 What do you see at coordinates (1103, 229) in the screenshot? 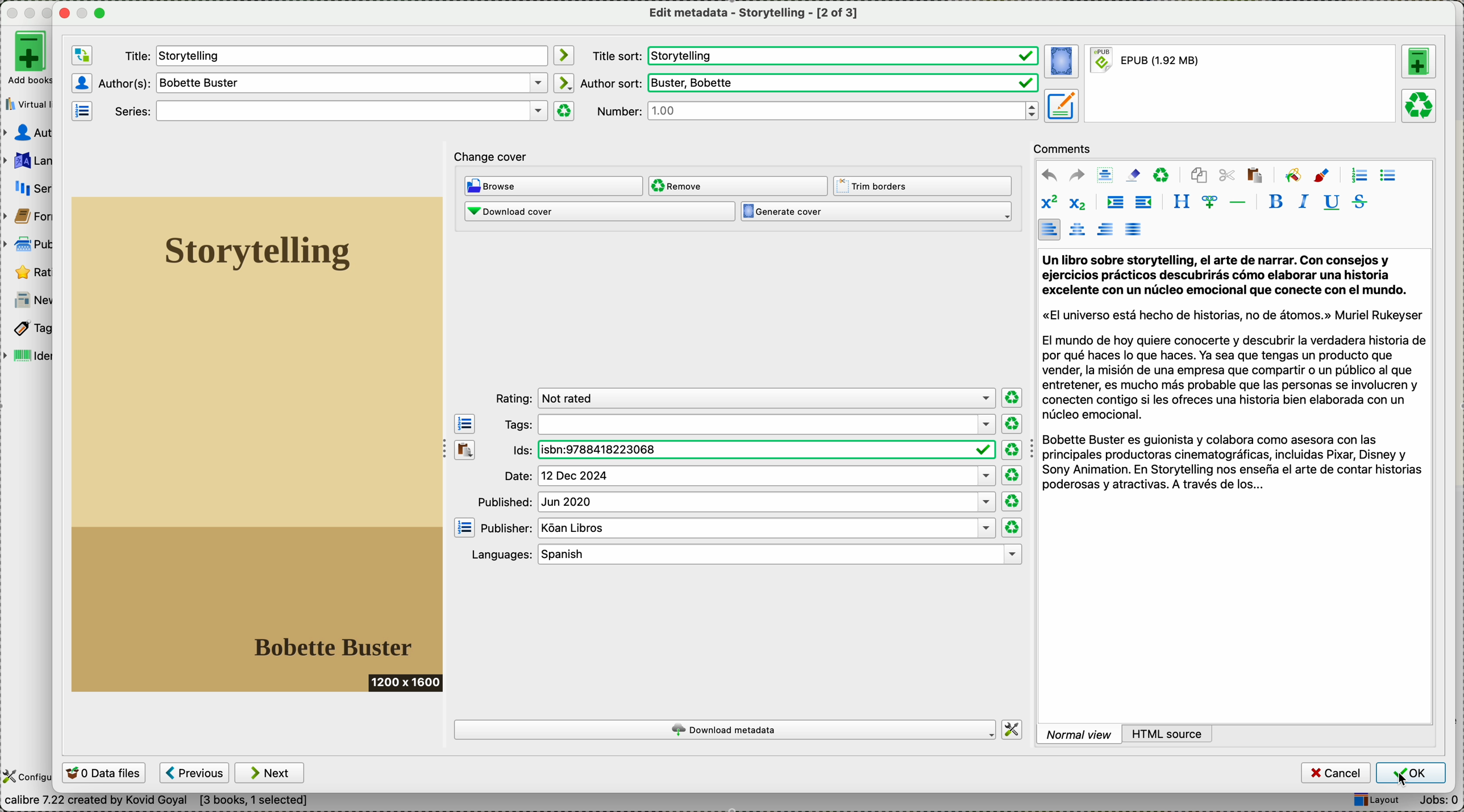
I see `align right` at bounding box center [1103, 229].